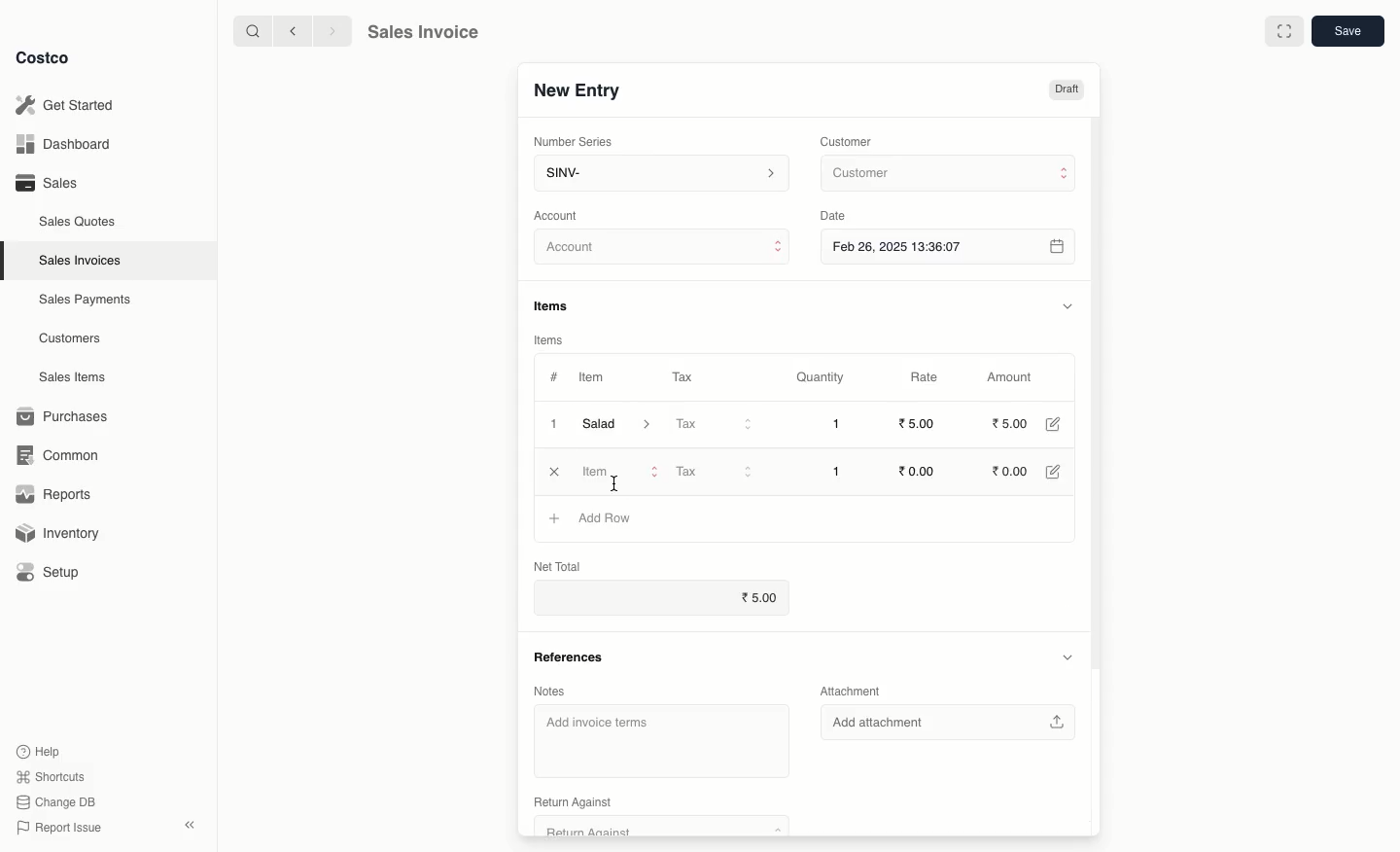 The image size is (1400, 852). What do you see at coordinates (332, 32) in the screenshot?
I see `Forward` at bounding box center [332, 32].